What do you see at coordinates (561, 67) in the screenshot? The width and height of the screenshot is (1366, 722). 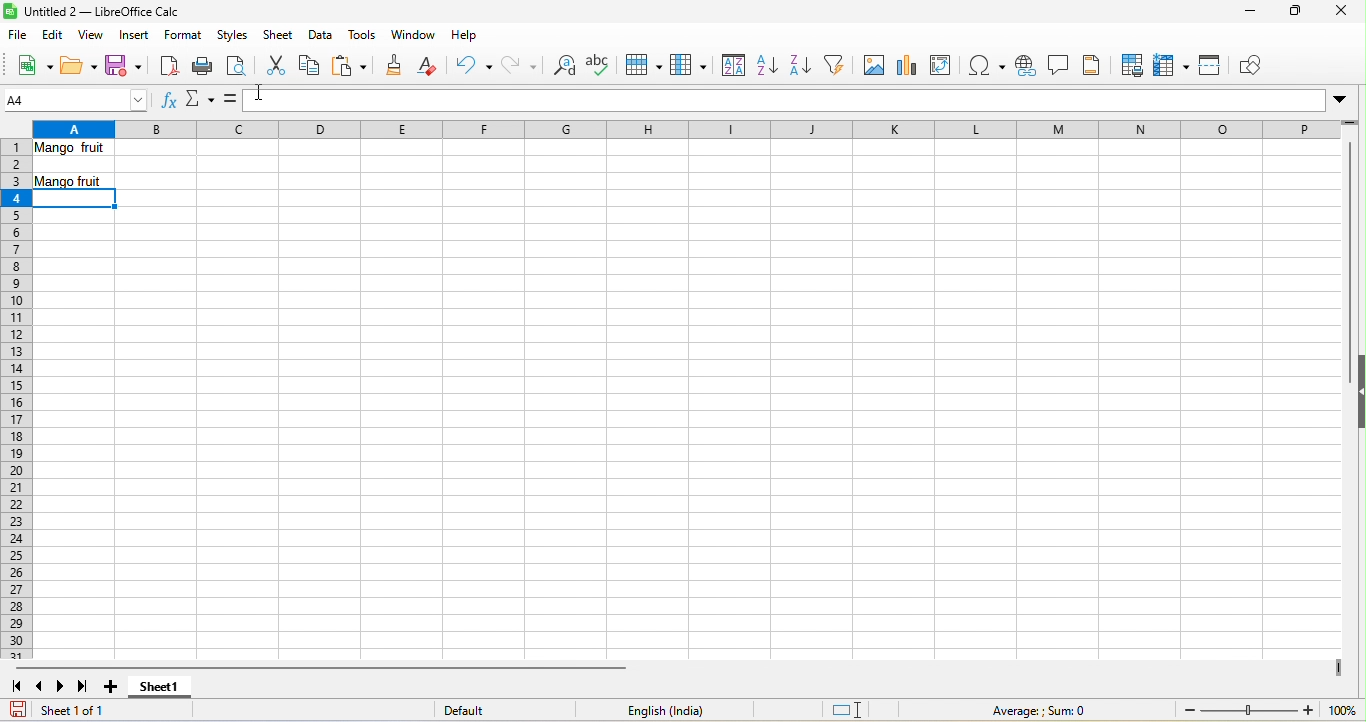 I see `find and replace` at bounding box center [561, 67].